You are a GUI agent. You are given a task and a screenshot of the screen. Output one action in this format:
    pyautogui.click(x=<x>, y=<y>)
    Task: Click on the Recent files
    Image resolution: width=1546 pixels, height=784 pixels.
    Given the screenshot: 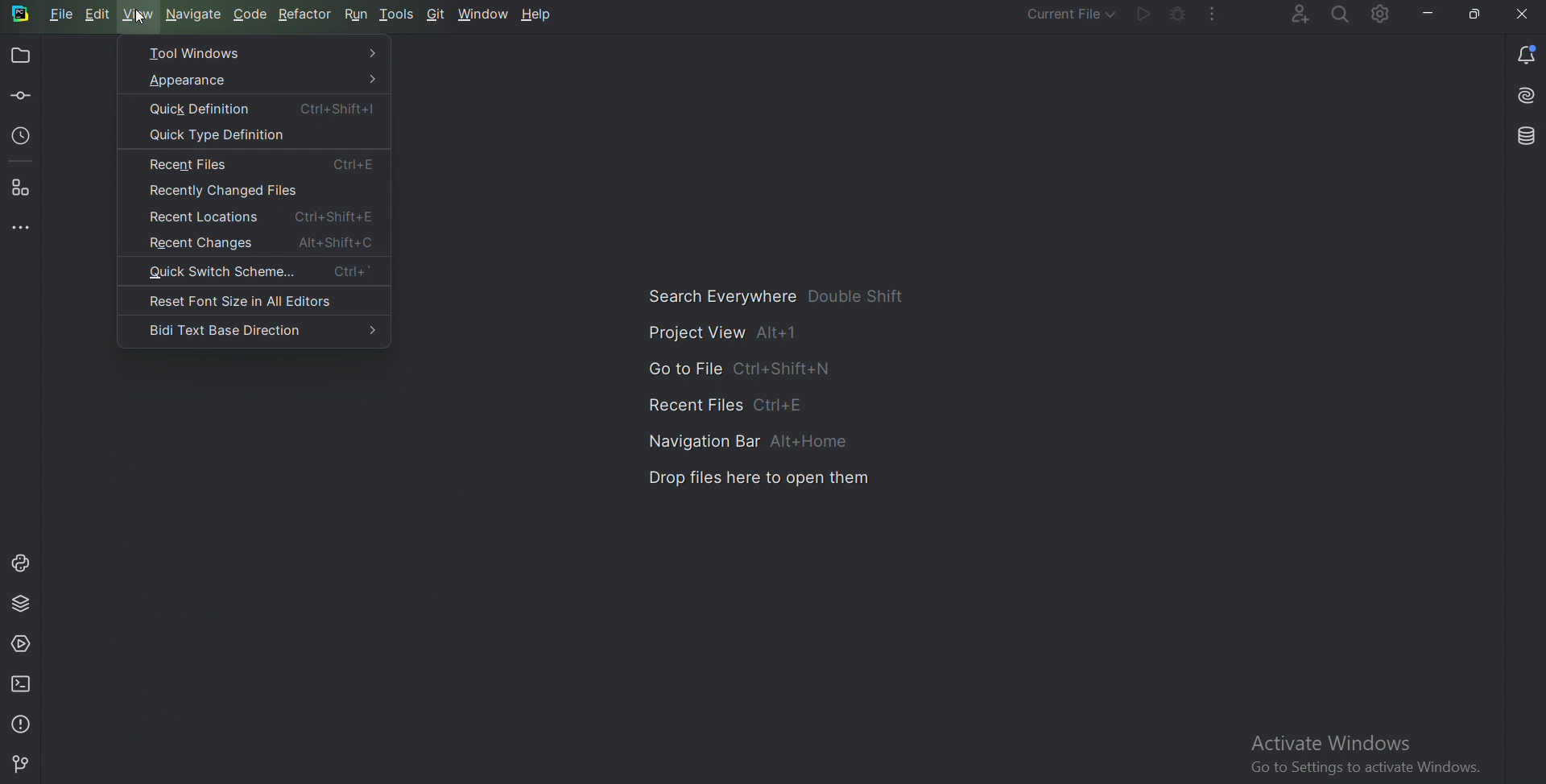 What is the action you would take?
    pyautogui.click(x=253, y=163)
    